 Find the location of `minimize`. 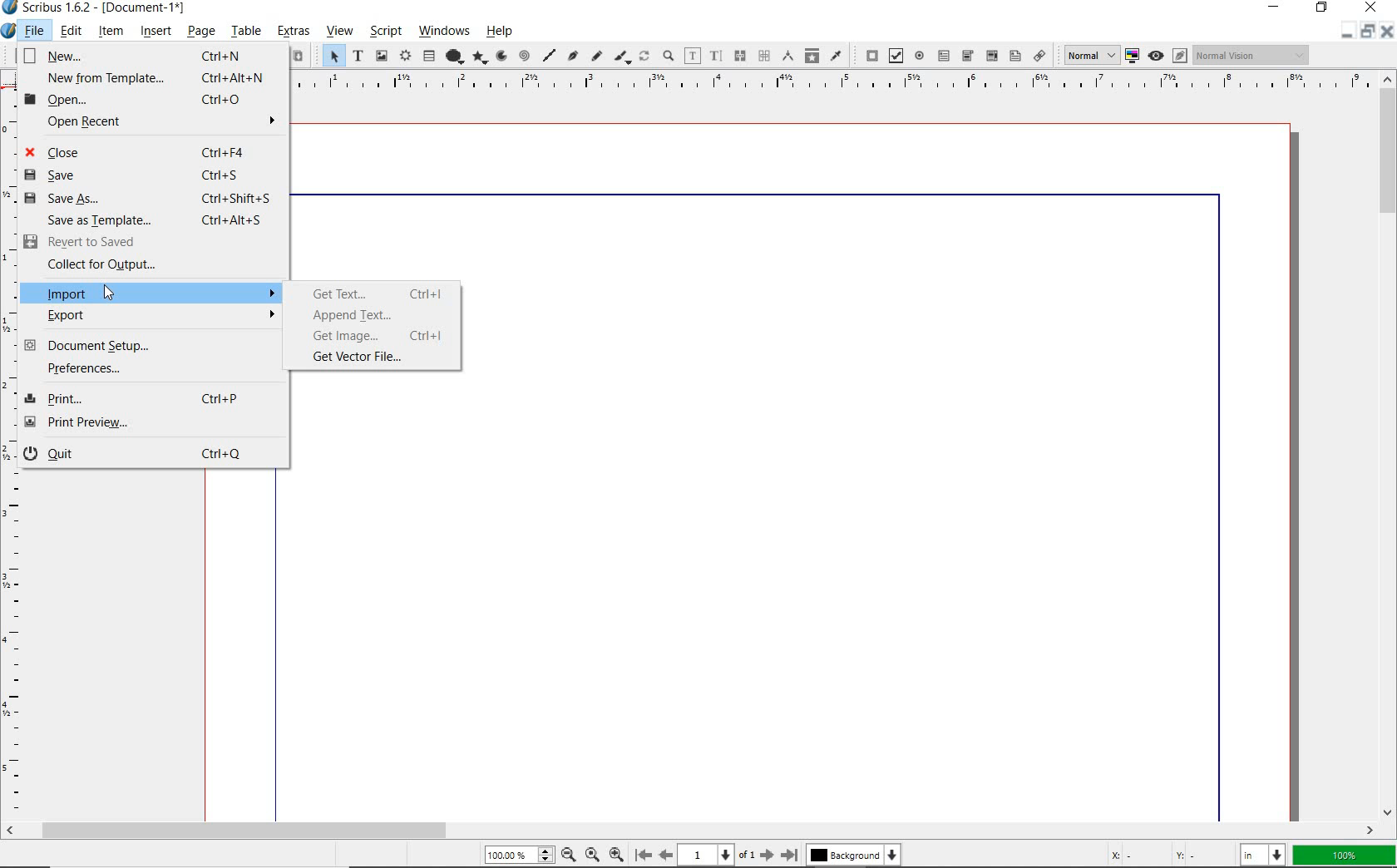

minimize is located at coordinates (1278, 7).